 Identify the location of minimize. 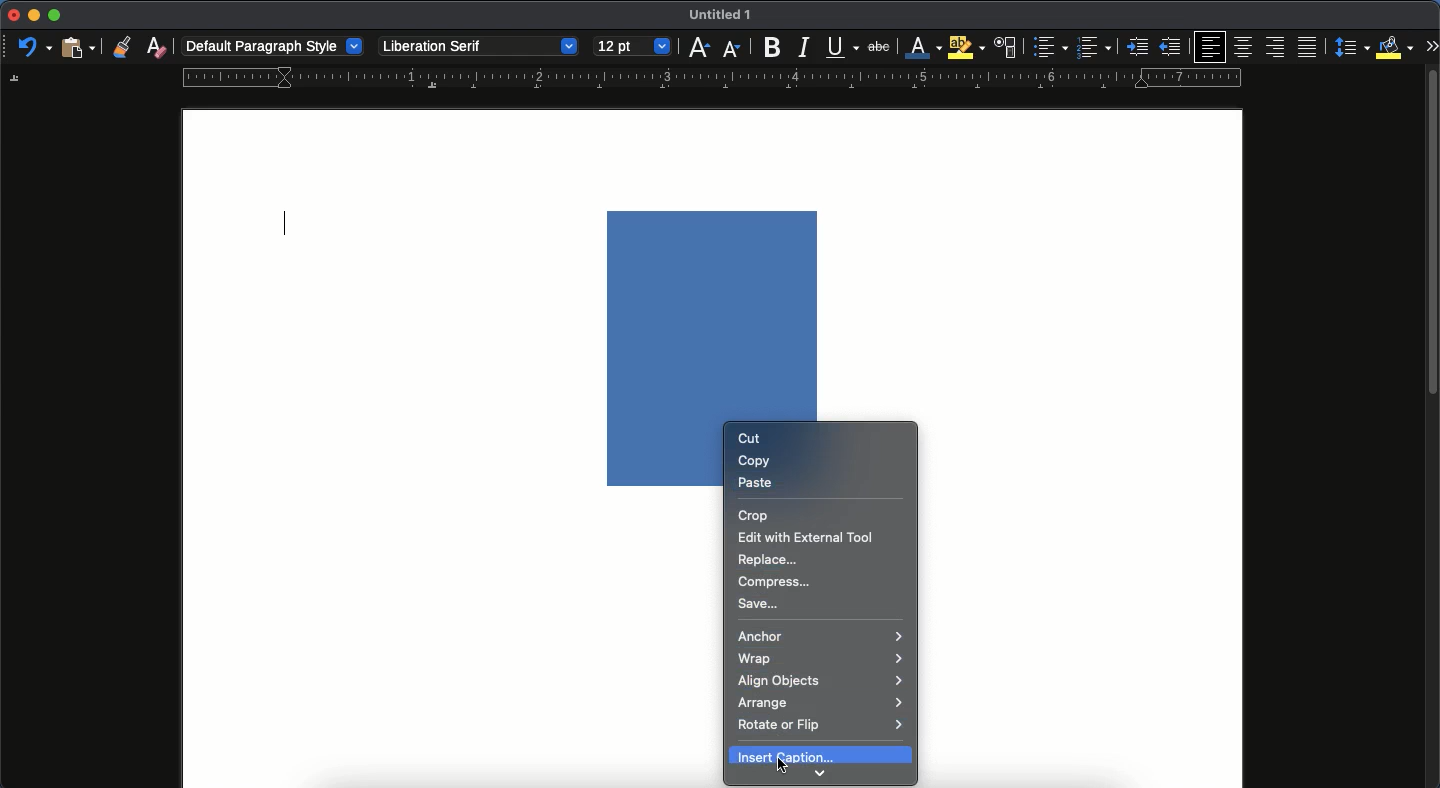
(31, 15).